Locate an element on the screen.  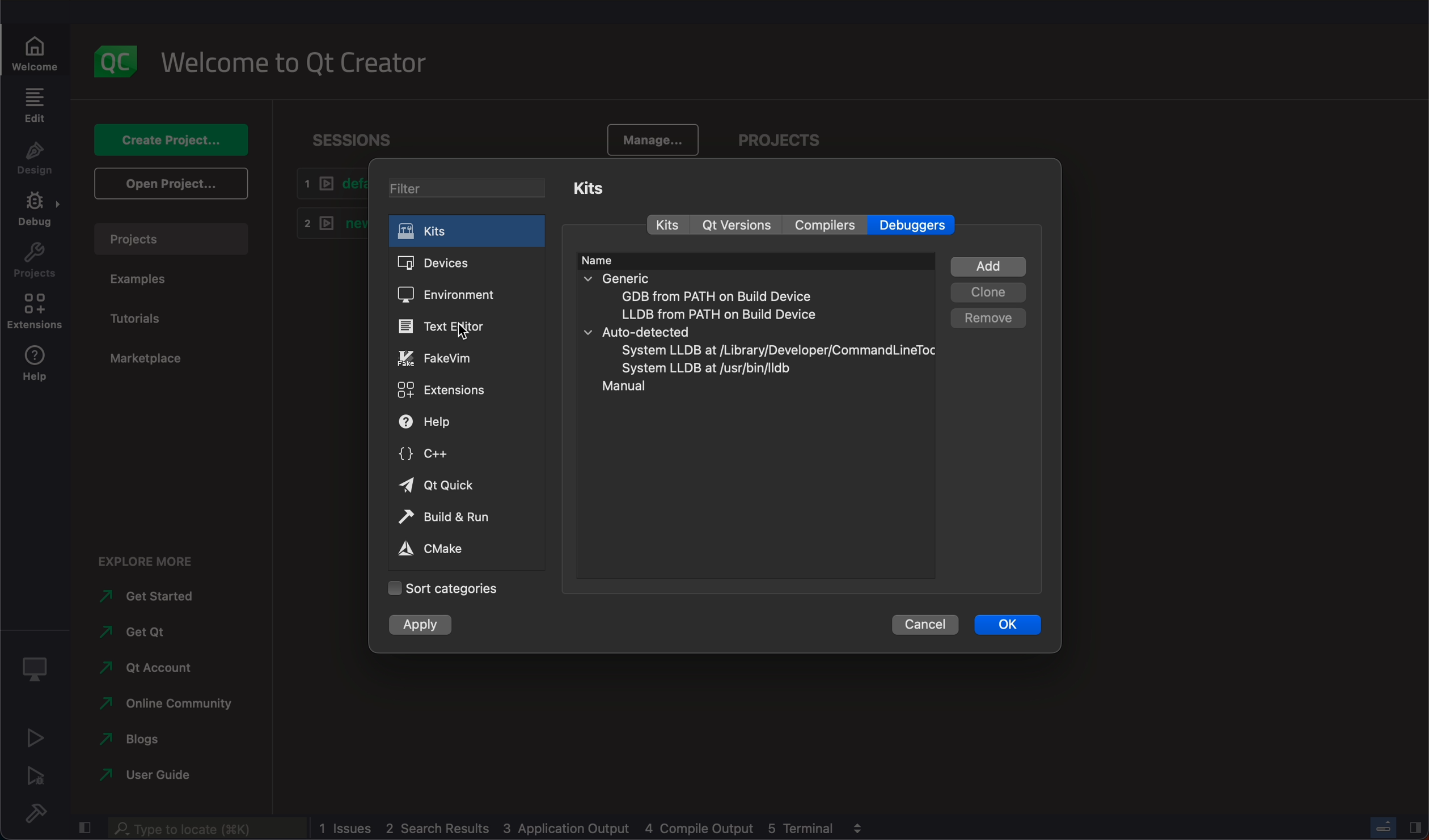
cursor is located at coordinates (463, 335).